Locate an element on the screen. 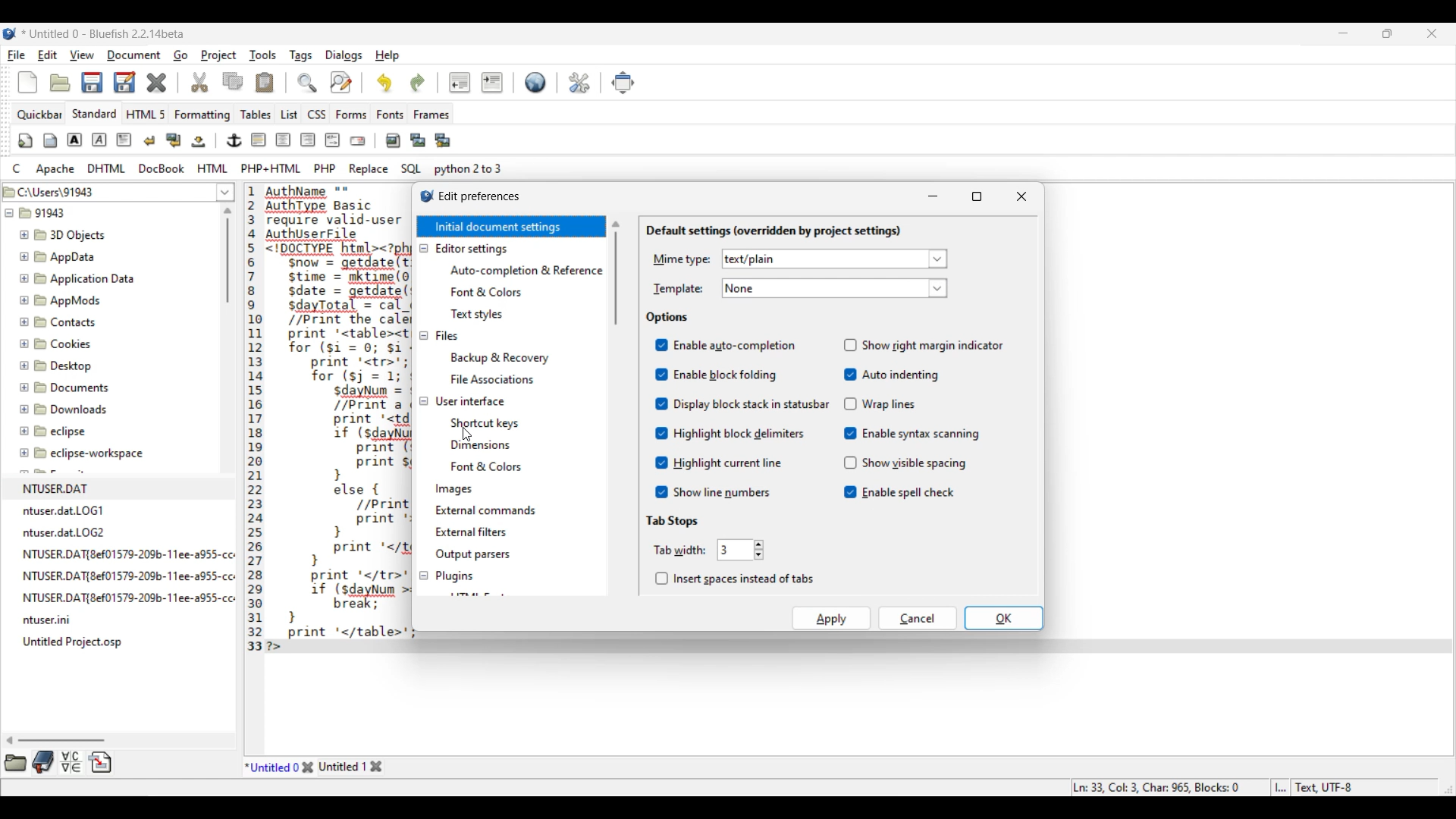 This screenshot has height=819, width=1456. ntuser.ini is located at coordinates (49, 620).